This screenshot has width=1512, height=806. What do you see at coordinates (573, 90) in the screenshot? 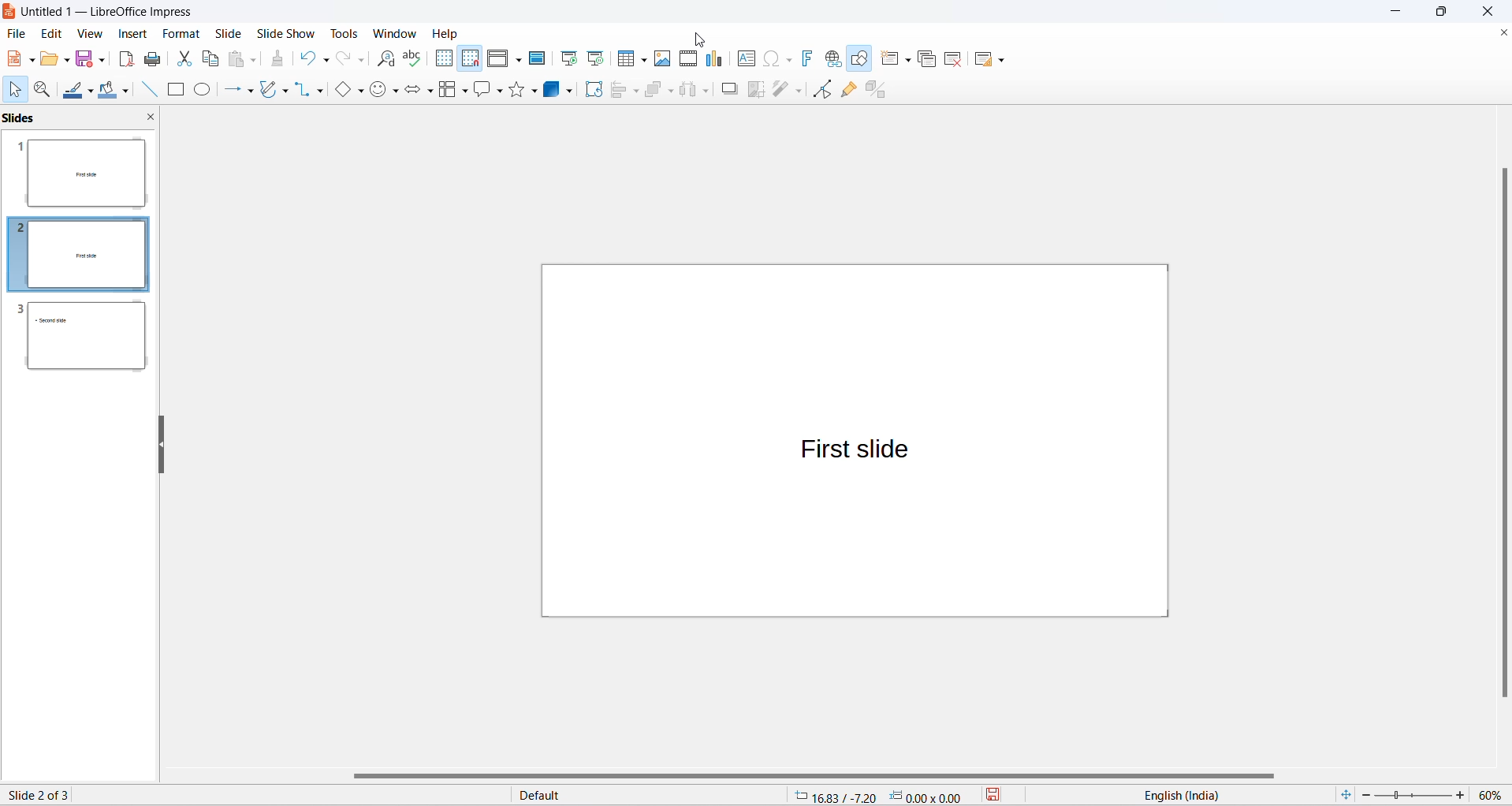
I see `3d object options` at bounding box center [573, 90].